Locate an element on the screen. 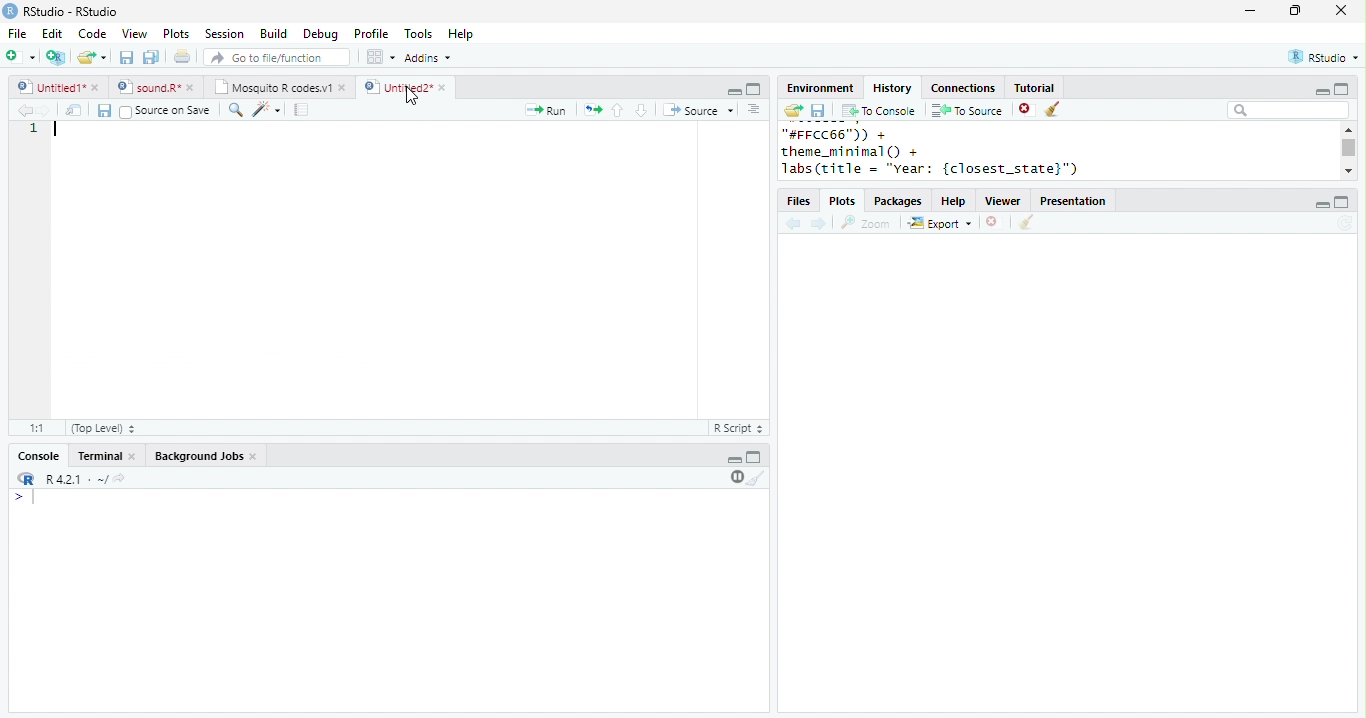  Environment is located at coordinates (819, 88).